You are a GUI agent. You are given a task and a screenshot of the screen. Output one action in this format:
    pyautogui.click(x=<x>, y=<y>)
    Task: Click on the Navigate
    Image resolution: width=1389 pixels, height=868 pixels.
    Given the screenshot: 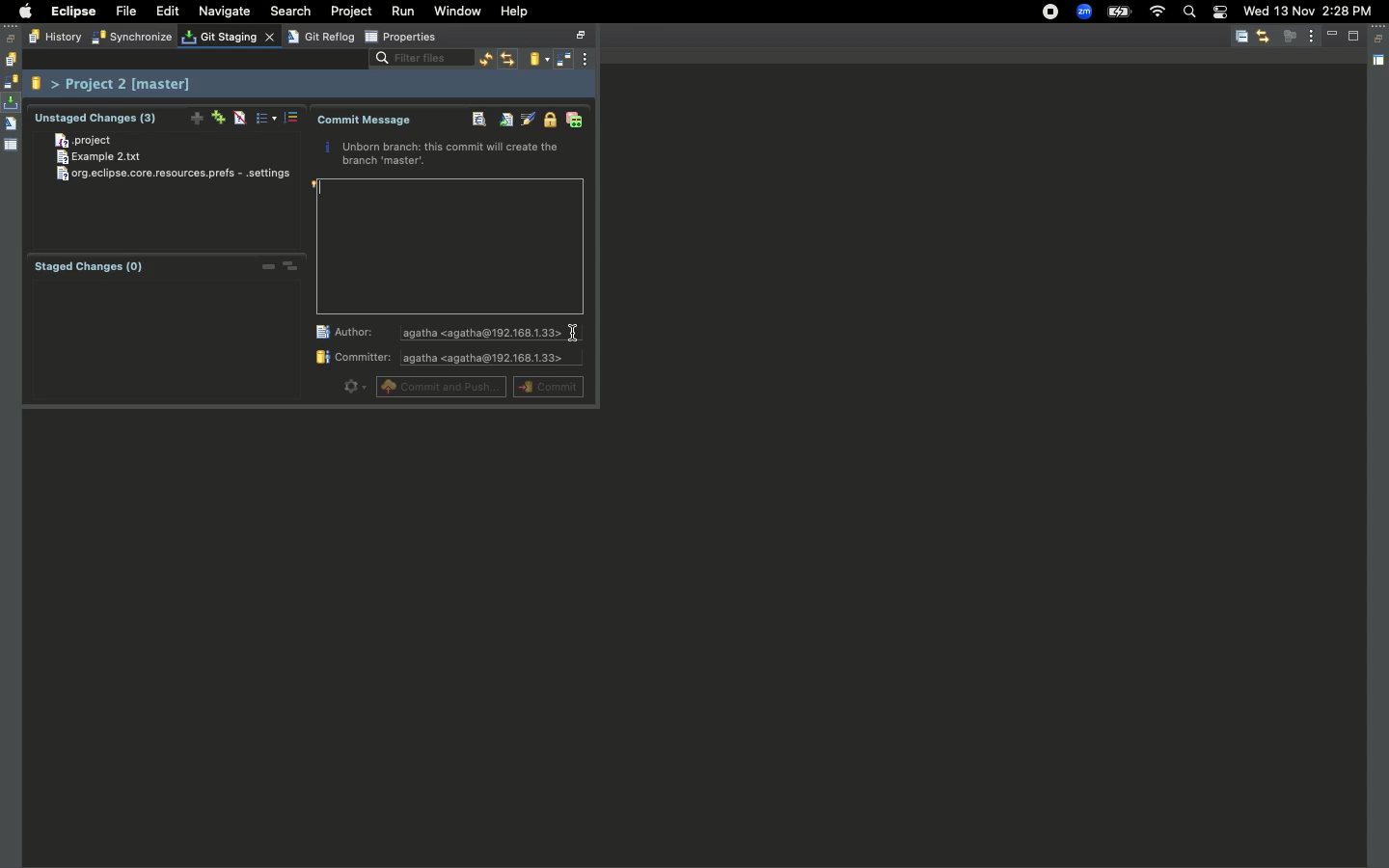 What is the action you would take?
    pyautogui.click(x=225, y=13)
    